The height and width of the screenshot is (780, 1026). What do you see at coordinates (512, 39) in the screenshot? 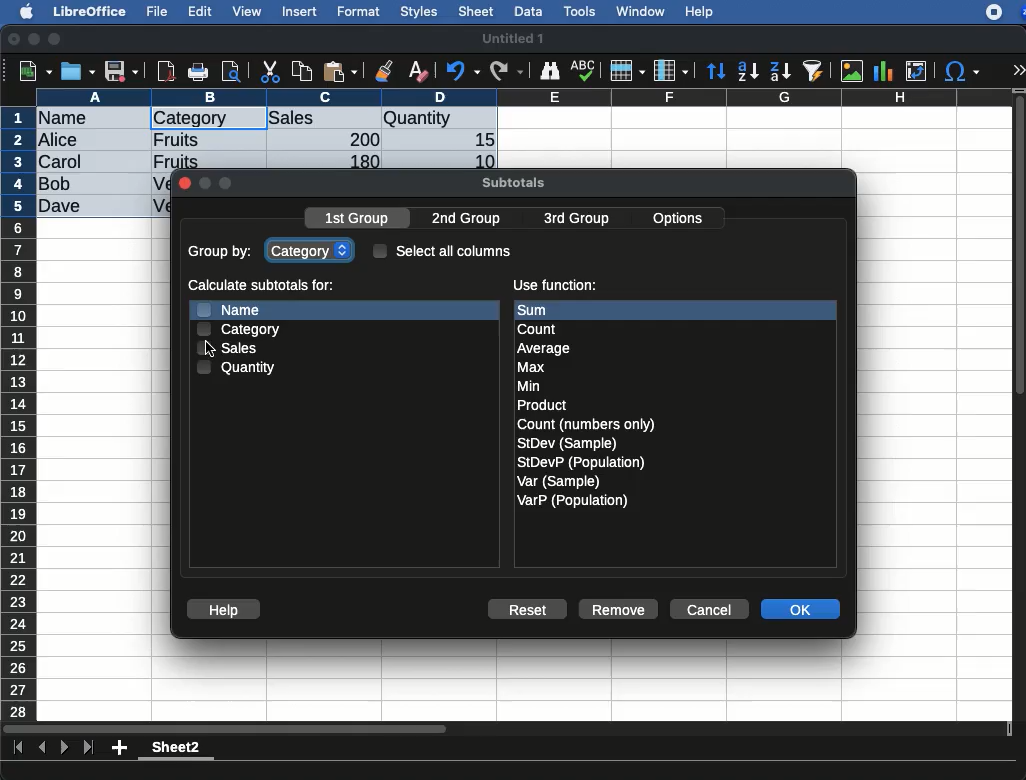
I see `untitled` at bounding box center [512, 39].